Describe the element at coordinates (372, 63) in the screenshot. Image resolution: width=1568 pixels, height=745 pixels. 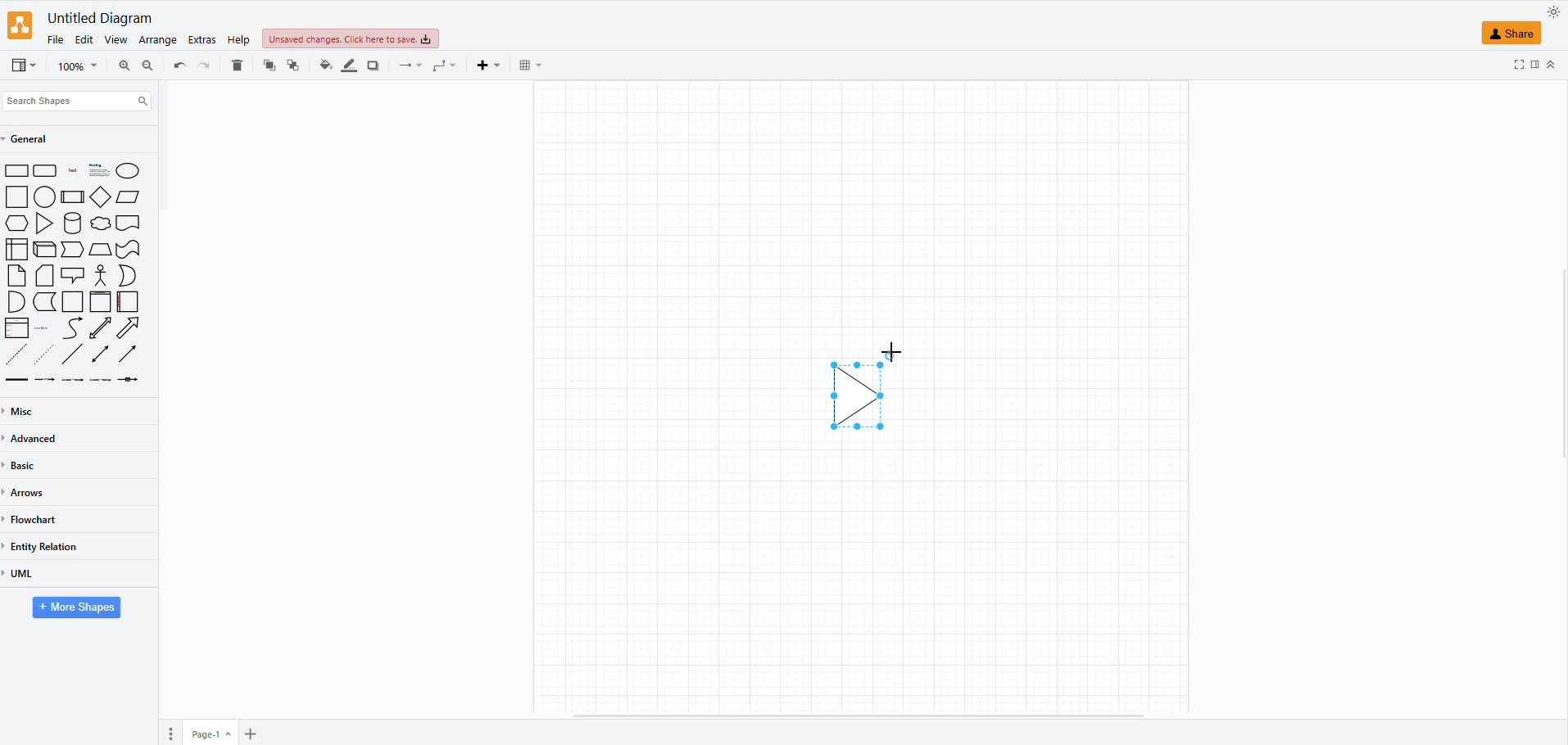
I see `shadow` at that location.